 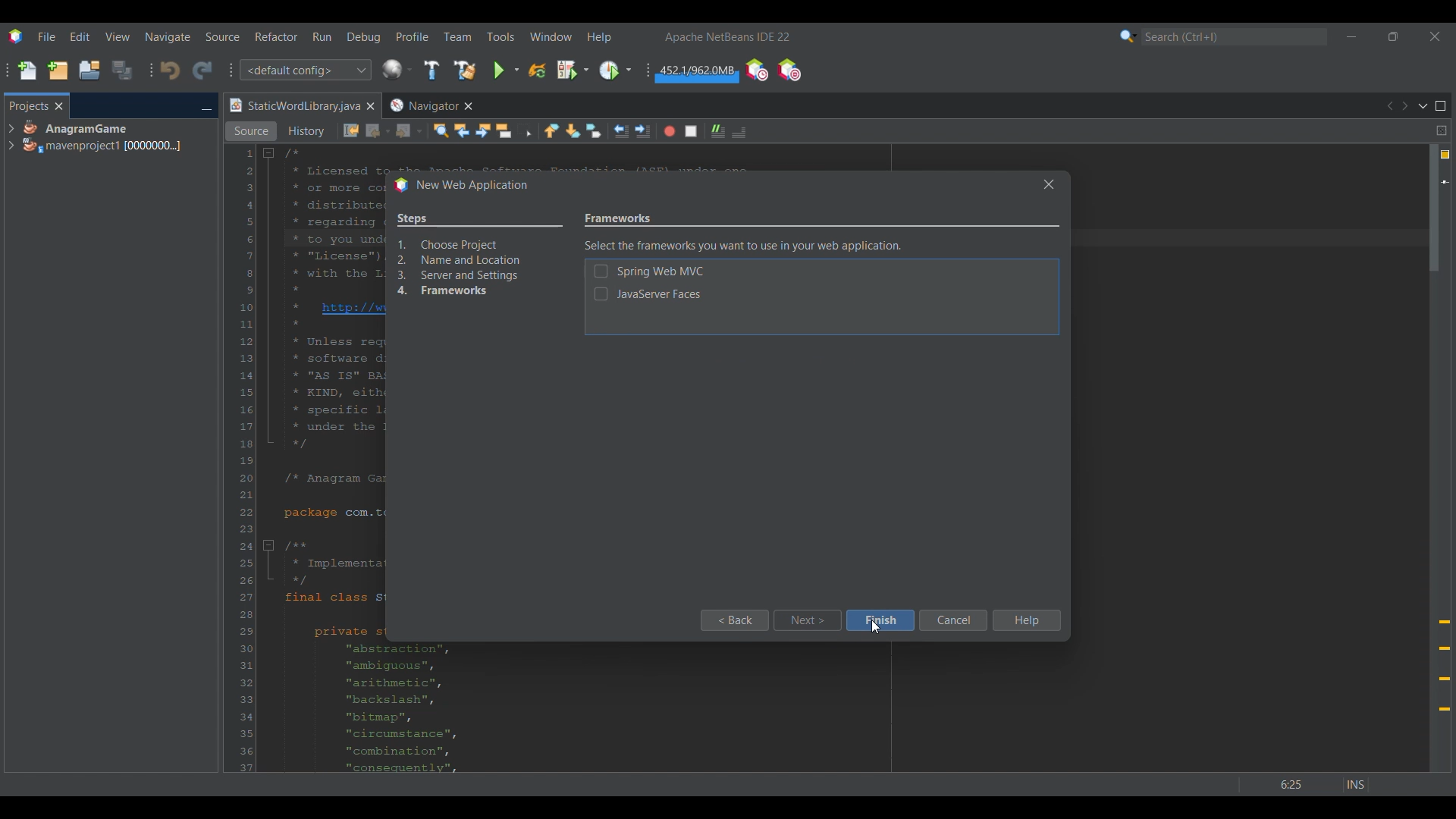 I want to click on Projects, current tab highlighted, so click(x=28, y=105).